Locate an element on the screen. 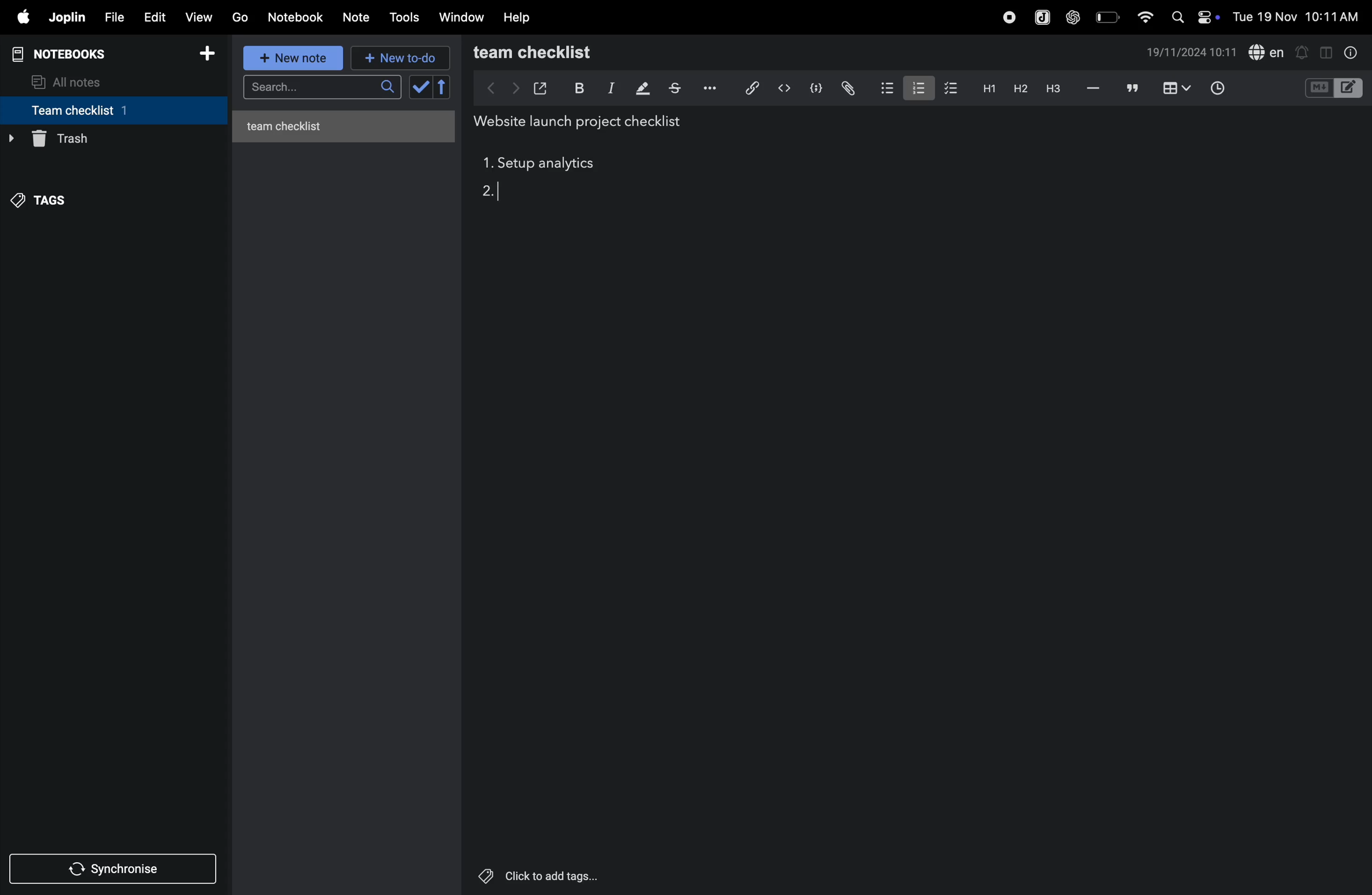 Image resolution: width=1372 pixels, height=895 pixels. joplin is located at coordinates (1039, 16).